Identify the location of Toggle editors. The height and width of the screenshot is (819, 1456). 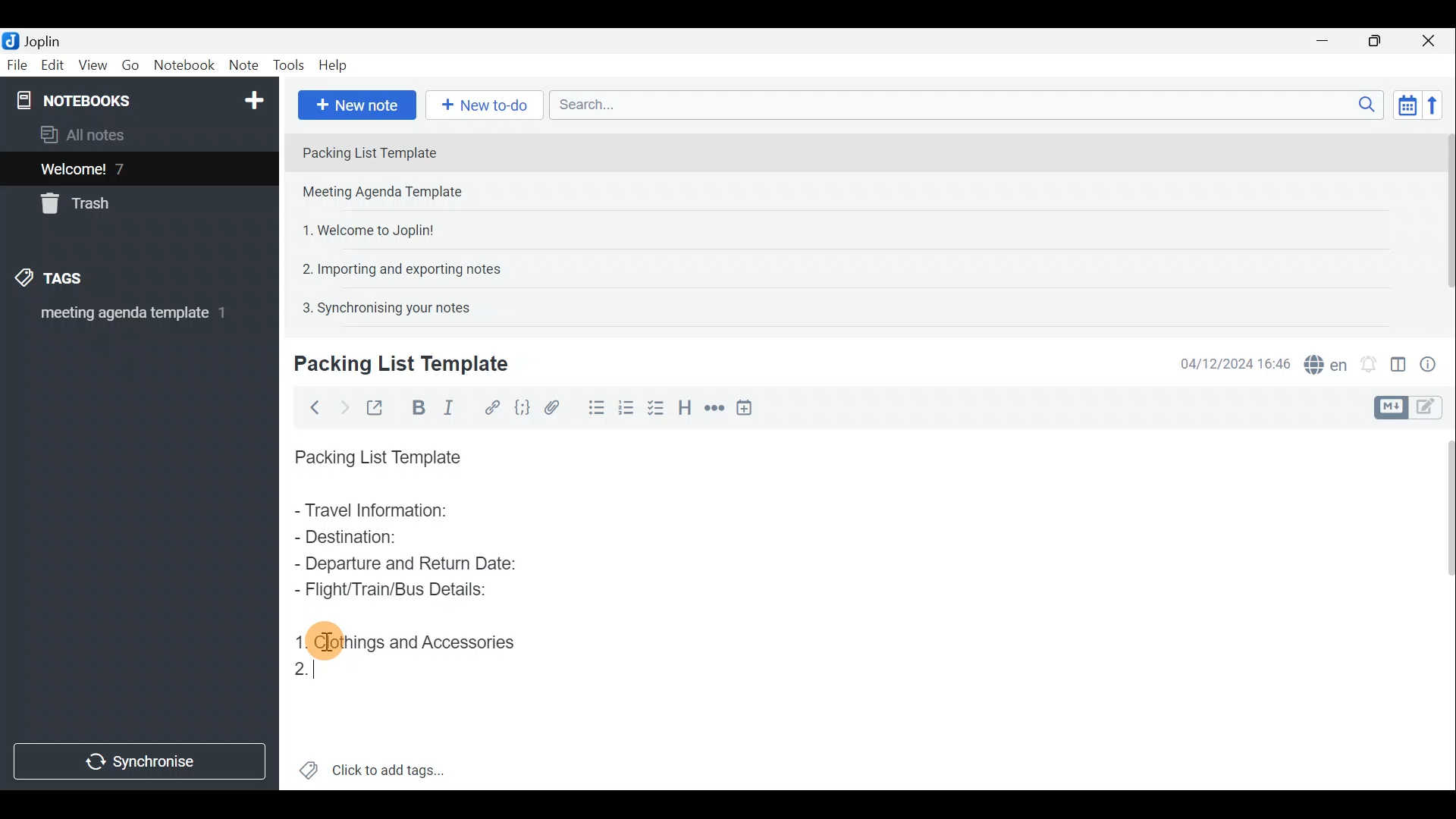
(1433, 409).